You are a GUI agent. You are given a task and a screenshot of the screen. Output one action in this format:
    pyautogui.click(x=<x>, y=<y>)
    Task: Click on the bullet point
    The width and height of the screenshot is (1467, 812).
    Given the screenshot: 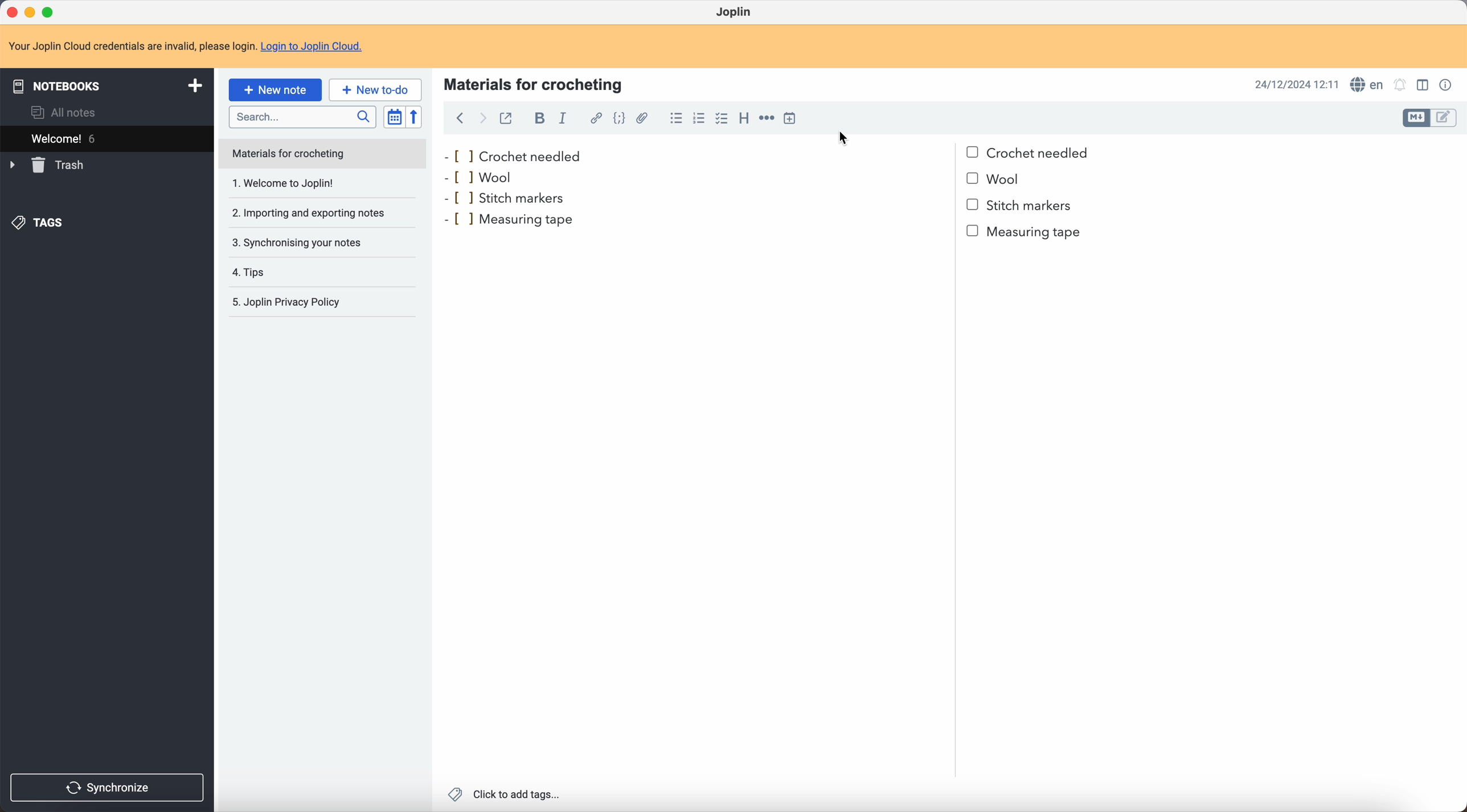 What is the action you would take?
    pyautogui.click(x=458, y=223)
    